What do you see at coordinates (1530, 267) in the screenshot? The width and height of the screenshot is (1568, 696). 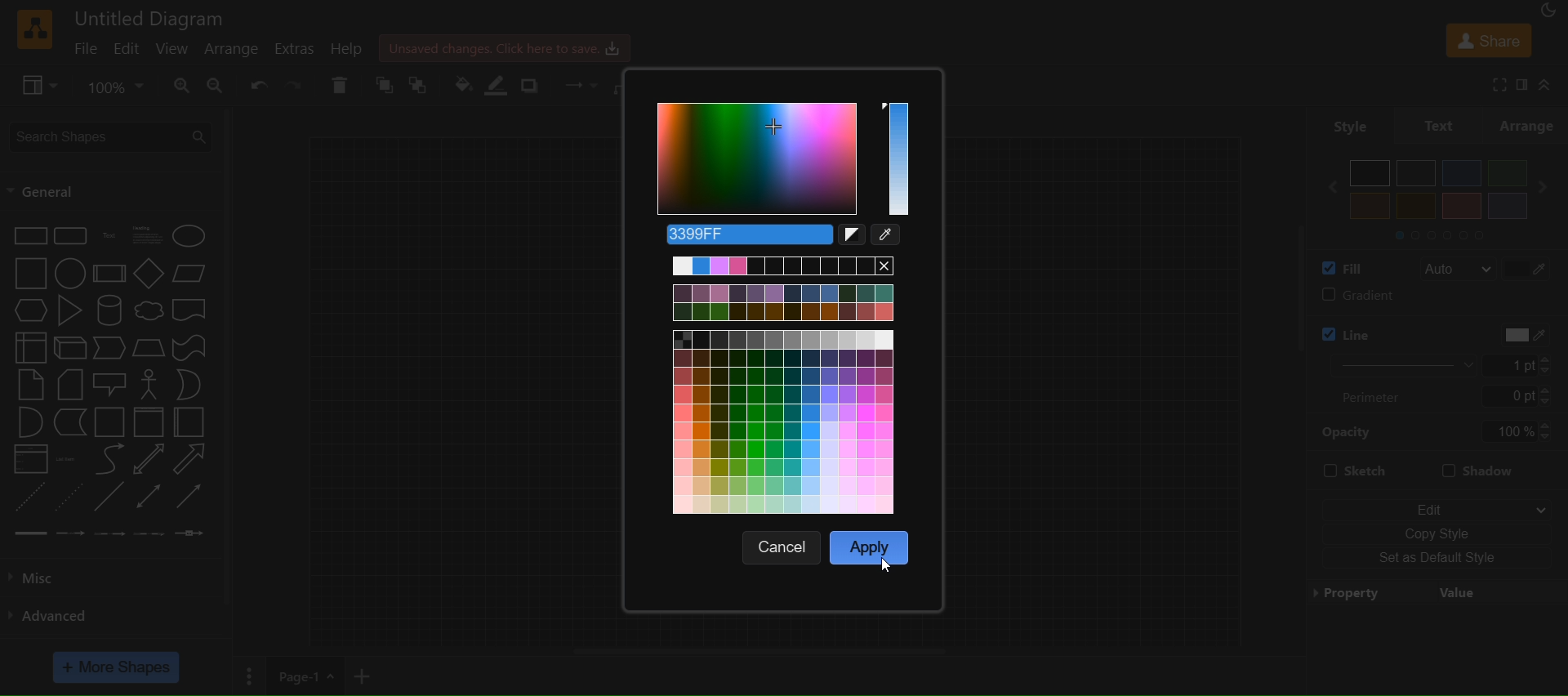 I see `color` at bounding box center [1530, 267].